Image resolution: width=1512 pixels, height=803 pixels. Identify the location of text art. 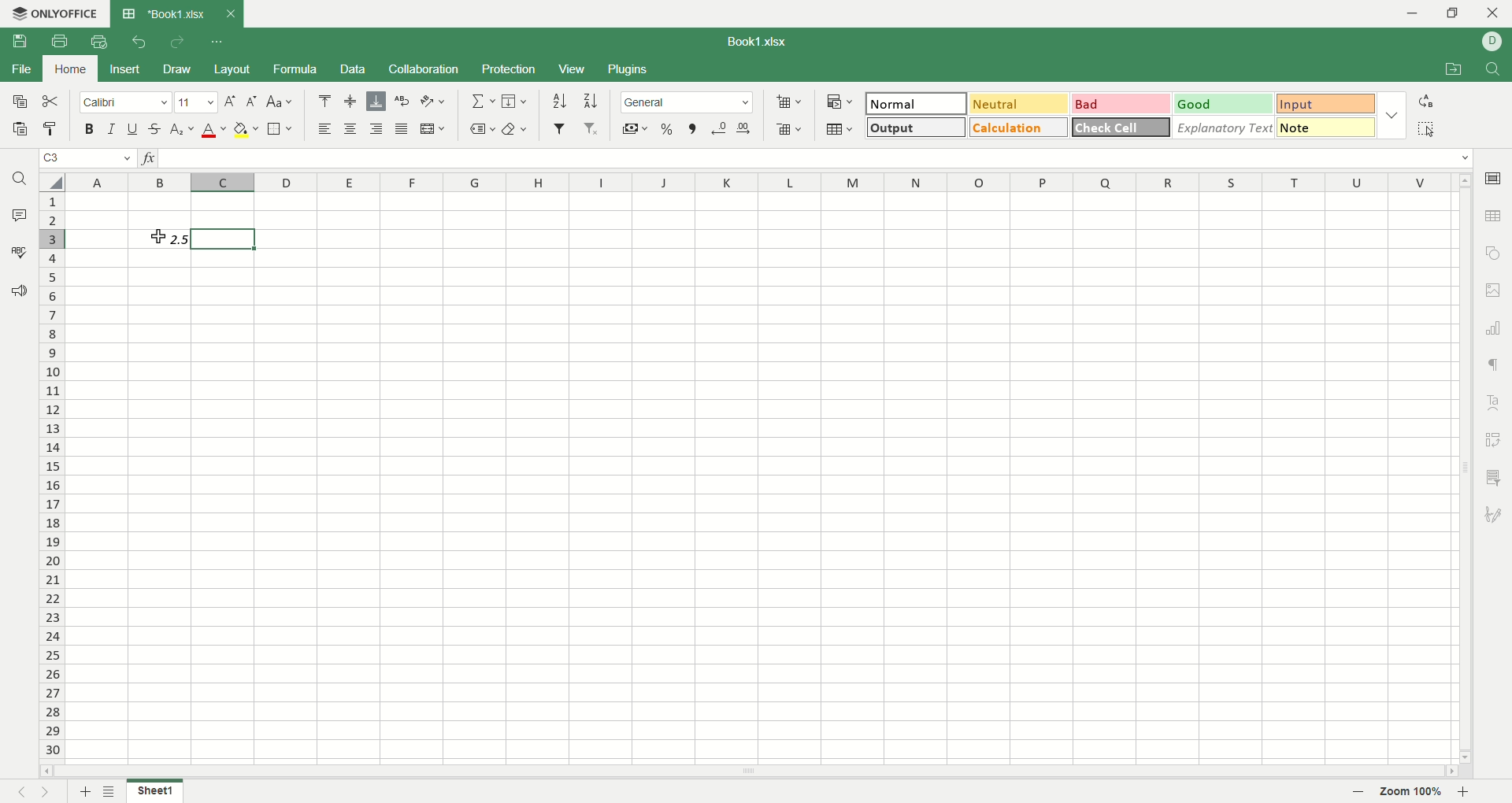
(1496, 403).